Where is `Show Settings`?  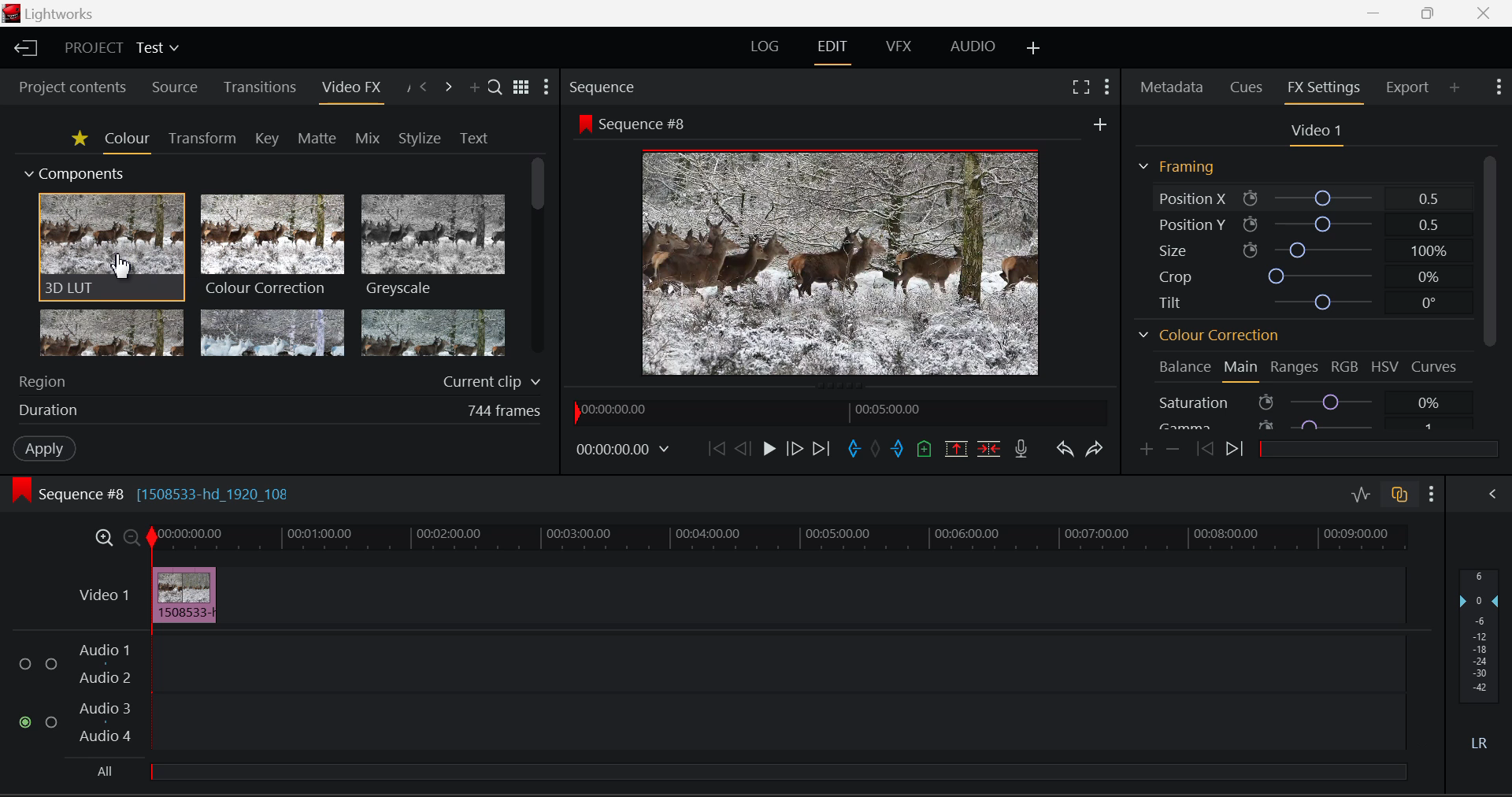 Show Settings is located at coordinates (1431, 494).